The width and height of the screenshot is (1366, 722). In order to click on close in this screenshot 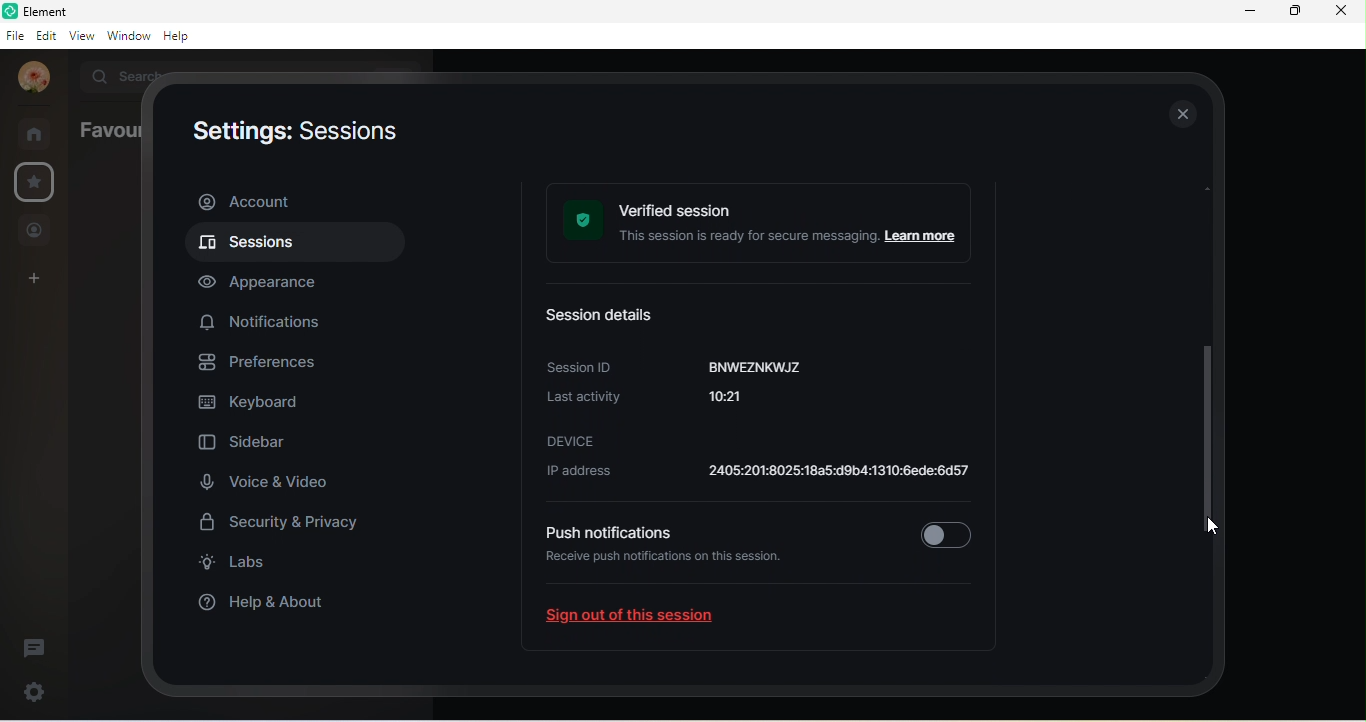, I will do `click(1339, 11)`.